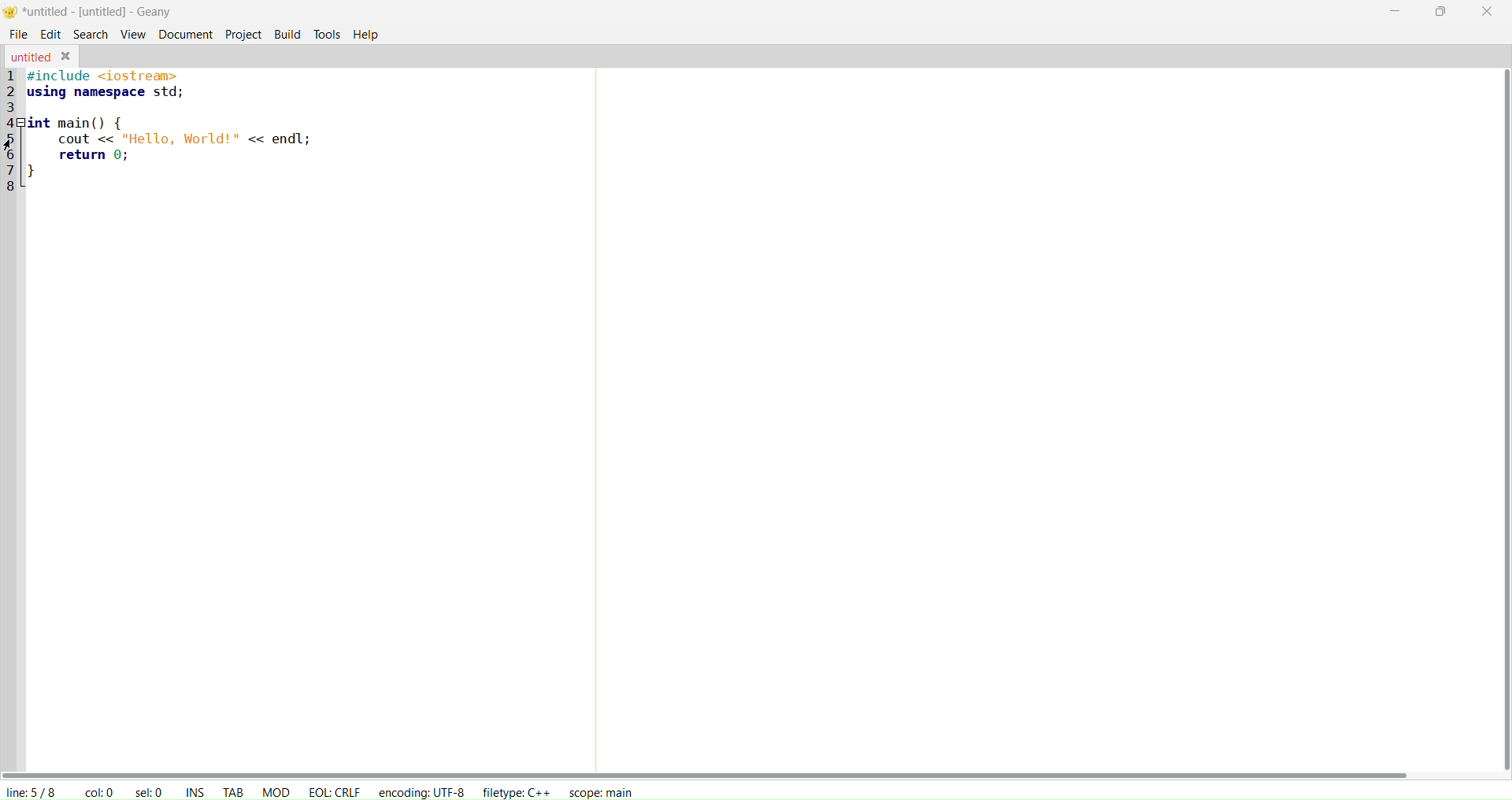  Describe the element at coordinates (335, 791) in the screenshot. I see `eol: crlf` at that location.